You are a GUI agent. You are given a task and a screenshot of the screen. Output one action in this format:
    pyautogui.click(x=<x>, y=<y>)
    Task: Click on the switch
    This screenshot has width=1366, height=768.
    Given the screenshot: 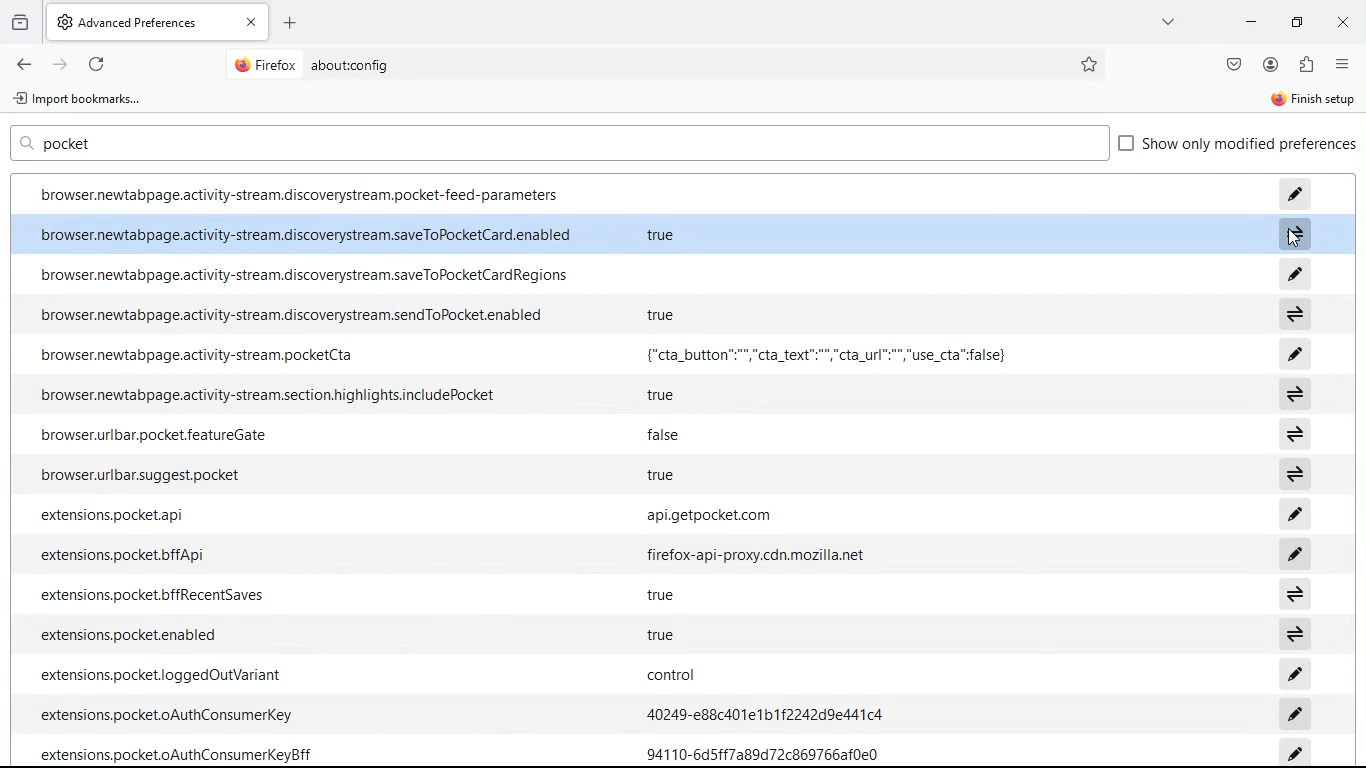 What is the action you would take?
    pyautogui.click(x=1297, y=633)
    